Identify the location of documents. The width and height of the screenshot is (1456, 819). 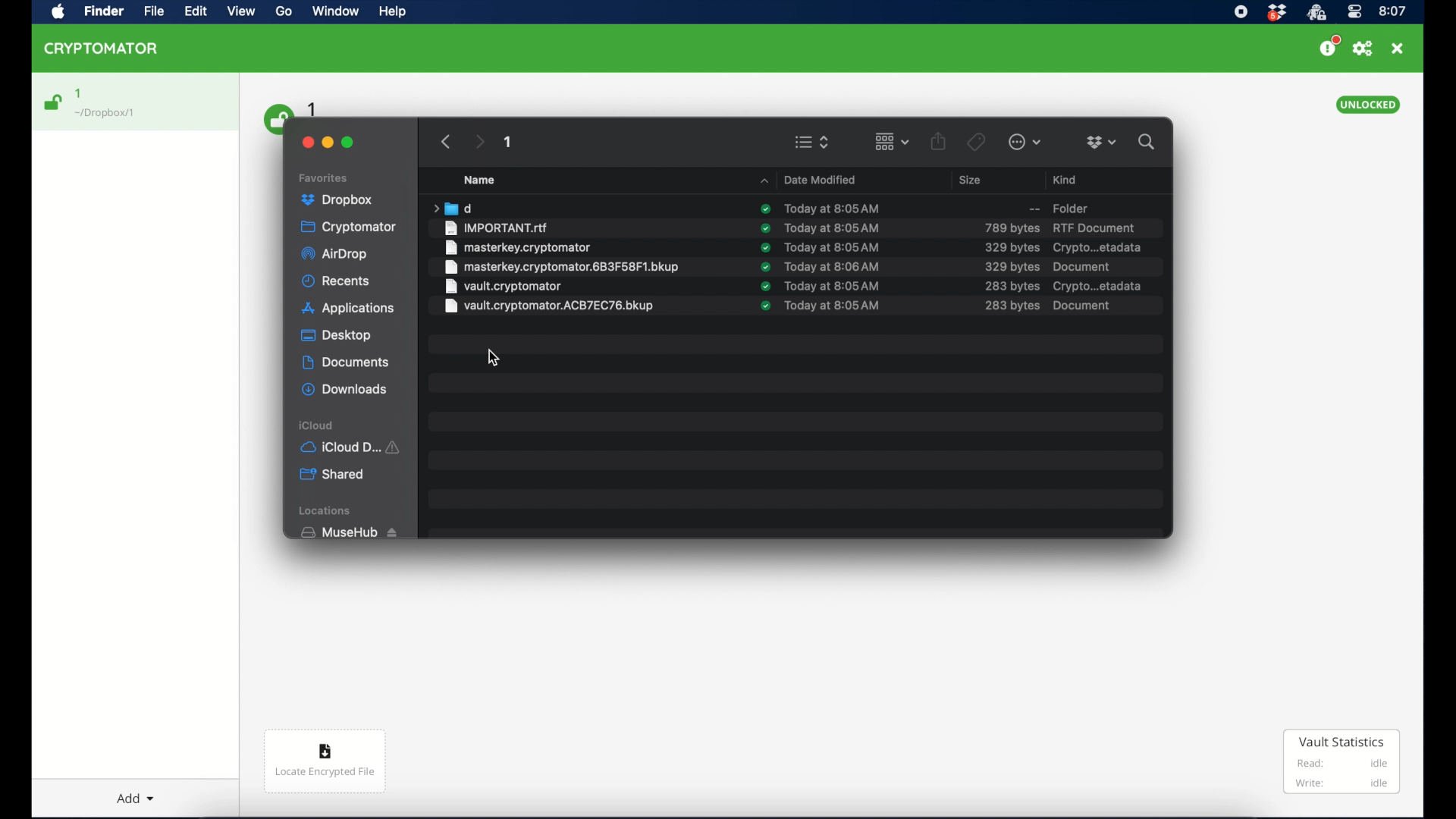
(345, 362).